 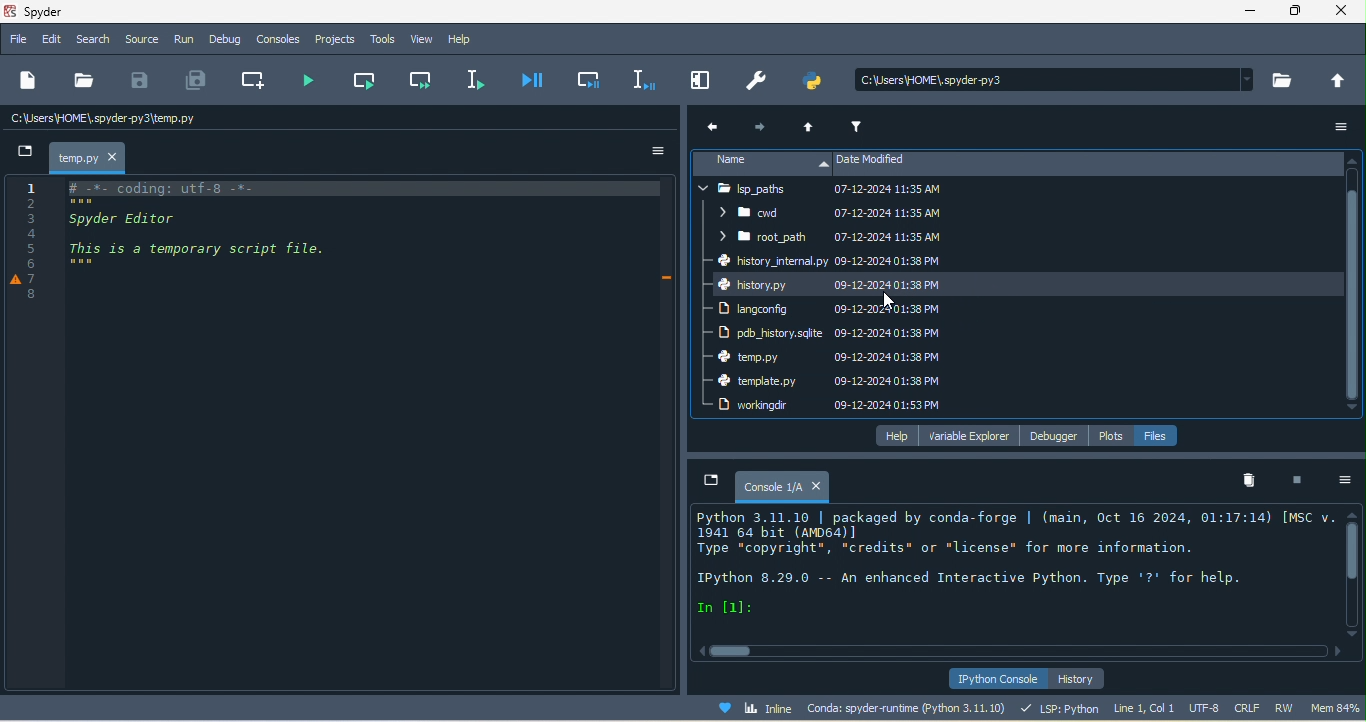 What do you see at coordinates (190, 81) in the screenshot?
I see `save all` at bounding box center [190, 81].